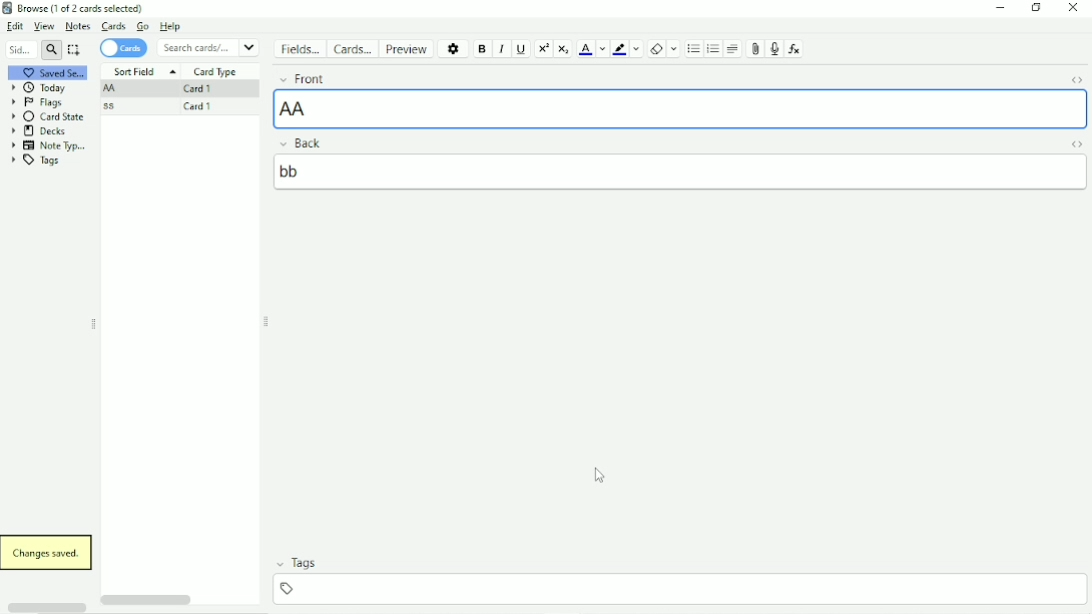  What do you see at coordinates (346, 79) in the screenshot?
I see `Front` at bounding box center [346, 79].